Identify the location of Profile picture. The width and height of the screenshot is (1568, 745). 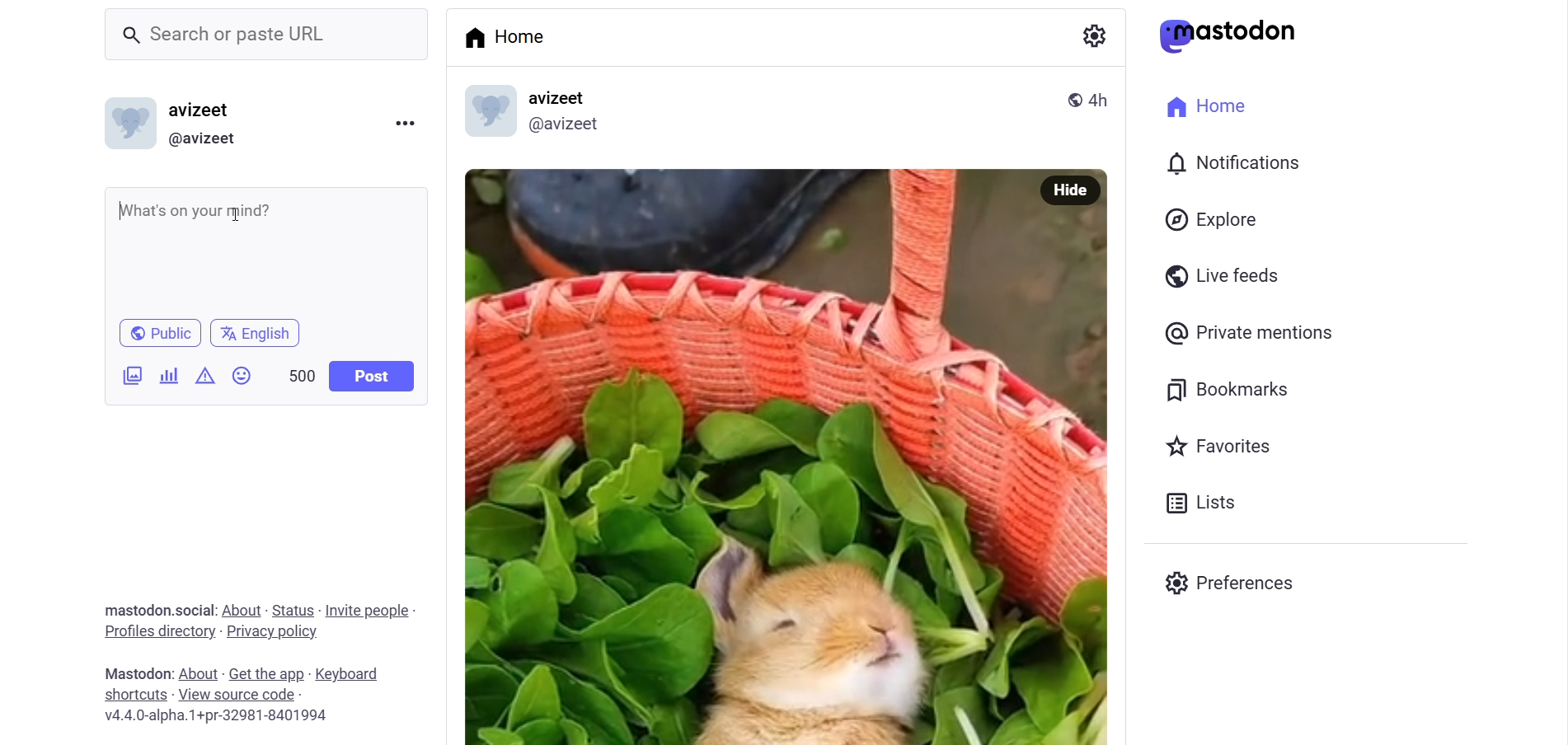
(129, 124).